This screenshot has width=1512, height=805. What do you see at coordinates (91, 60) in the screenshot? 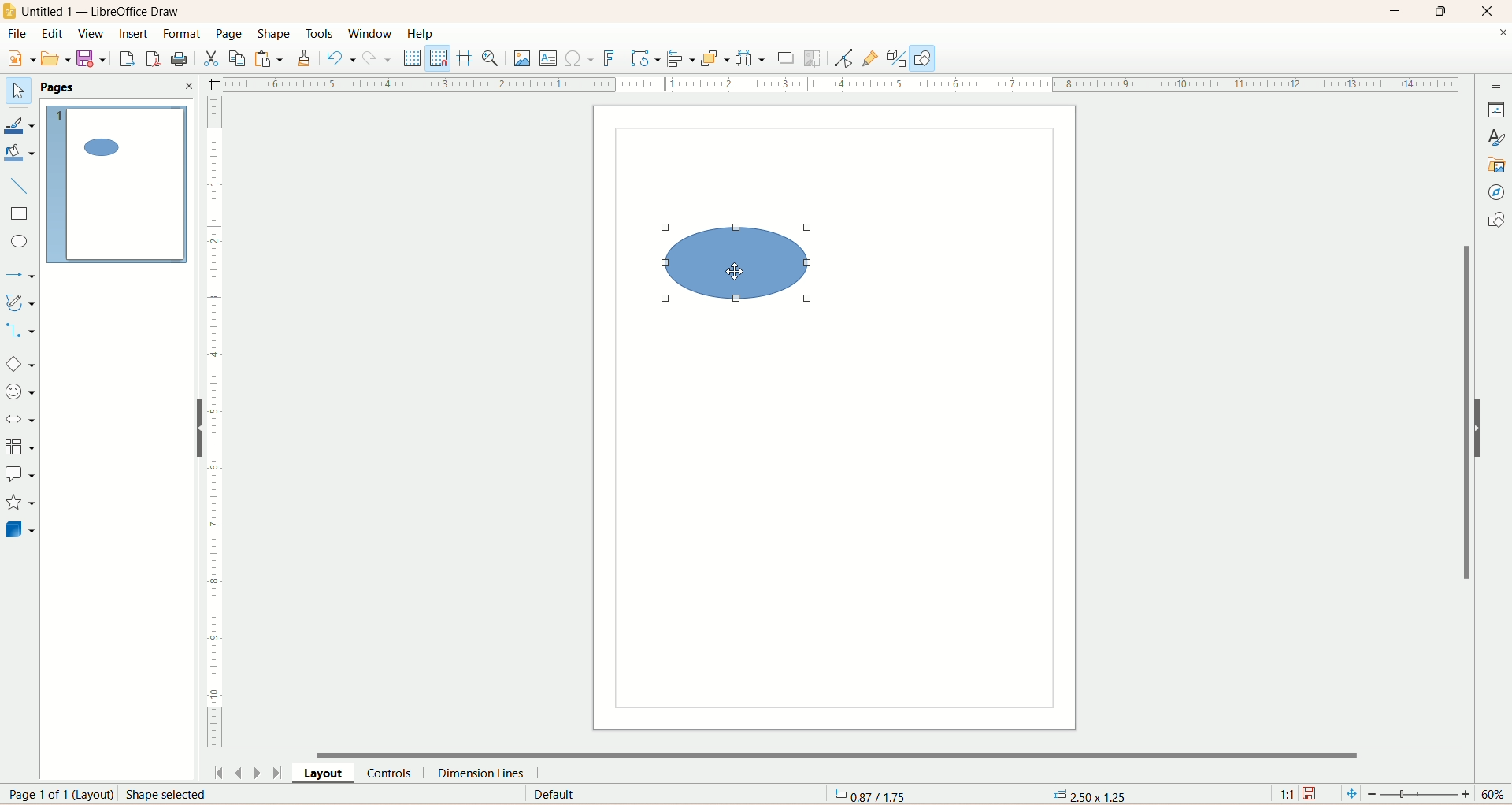
I see `save` at bounding box center [91, 60].